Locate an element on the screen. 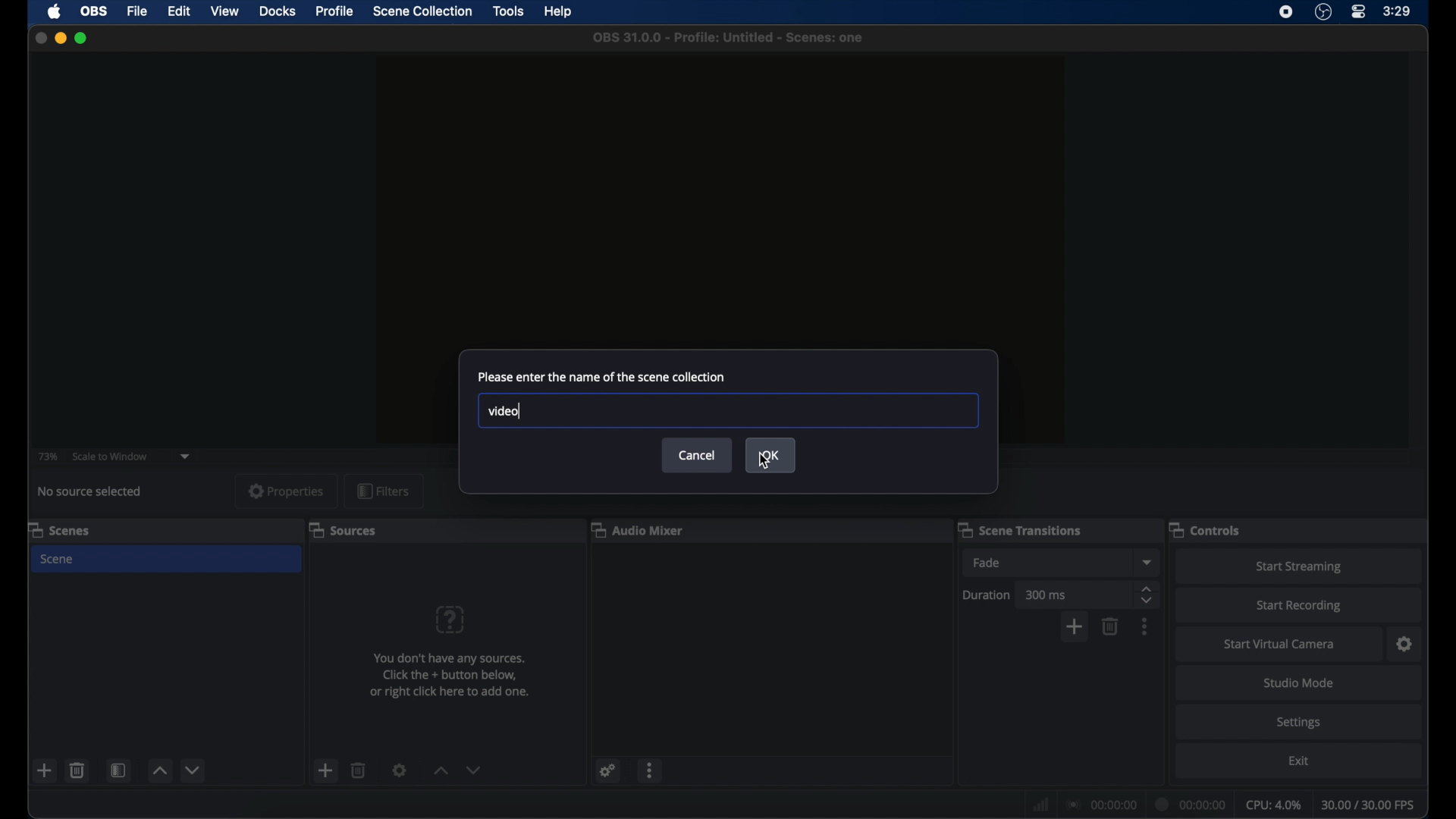 This screenshot has height=819, width=1456. network is located at coordinates (1039, 802).